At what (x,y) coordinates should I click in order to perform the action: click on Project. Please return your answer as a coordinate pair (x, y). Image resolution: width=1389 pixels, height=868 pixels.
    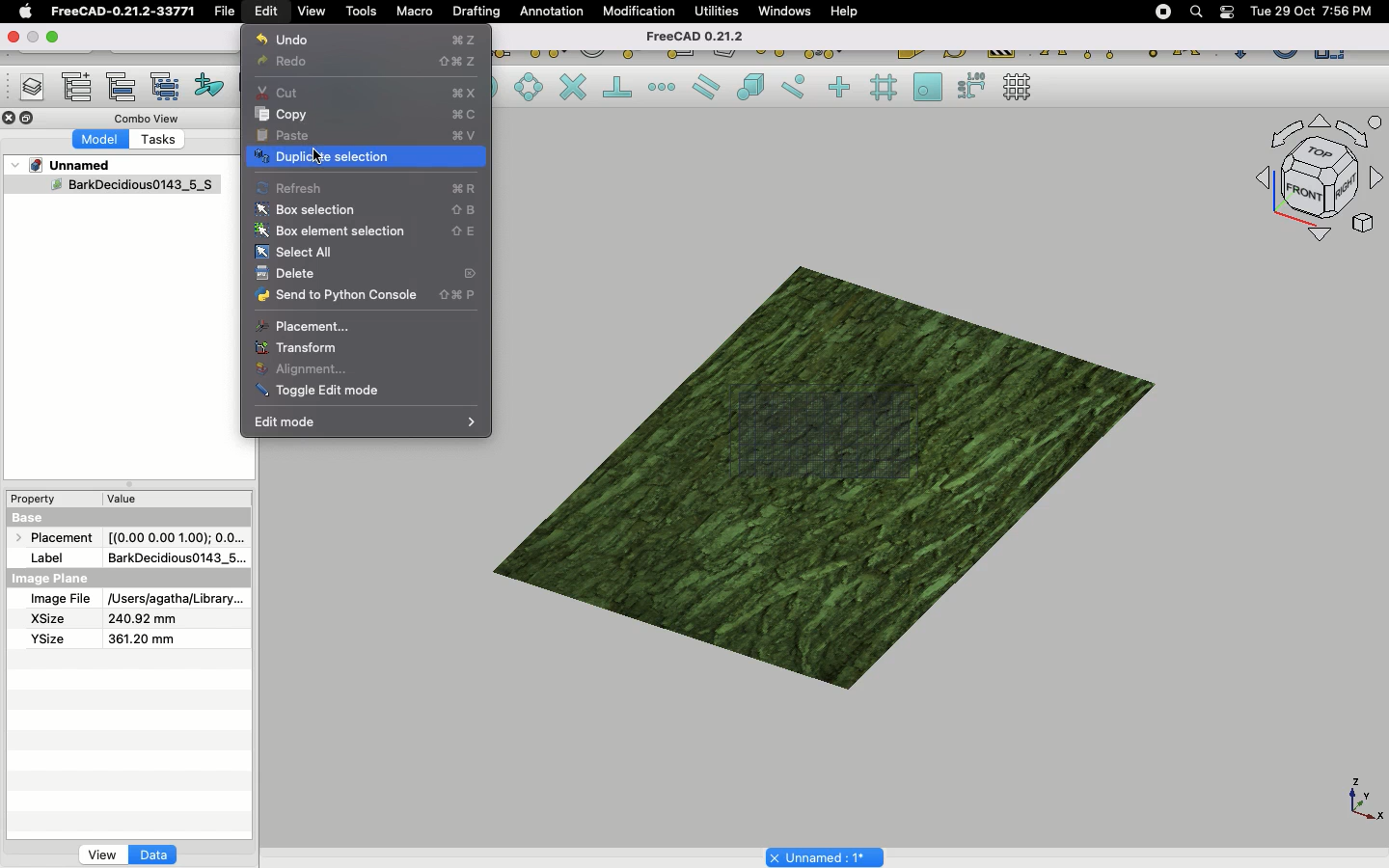
    Looking at the image, I should click on (71, 165).